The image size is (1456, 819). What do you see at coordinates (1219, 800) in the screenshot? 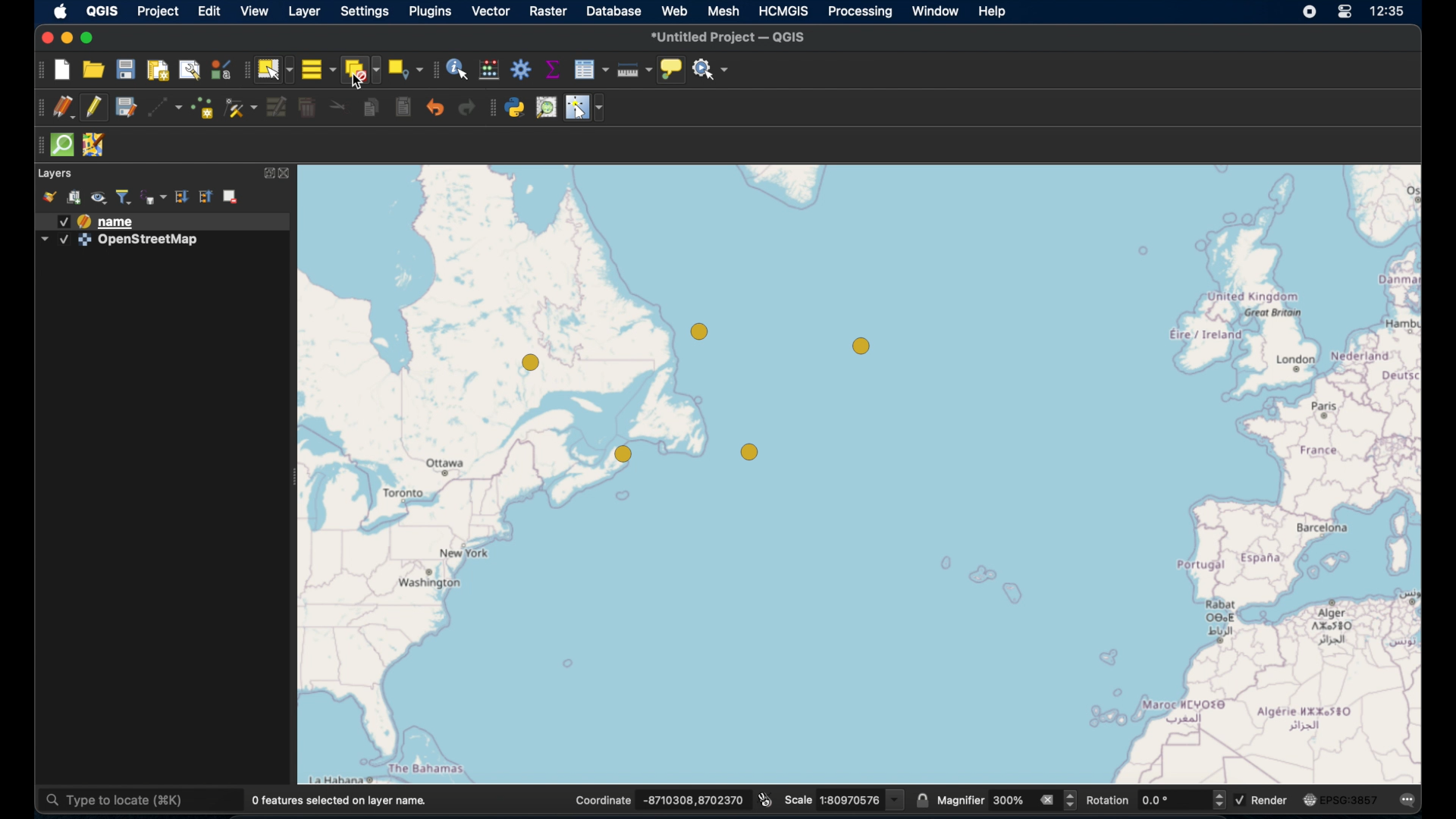
I see `increase or decrease the value of rotation` at bounding box center [1219, 800].